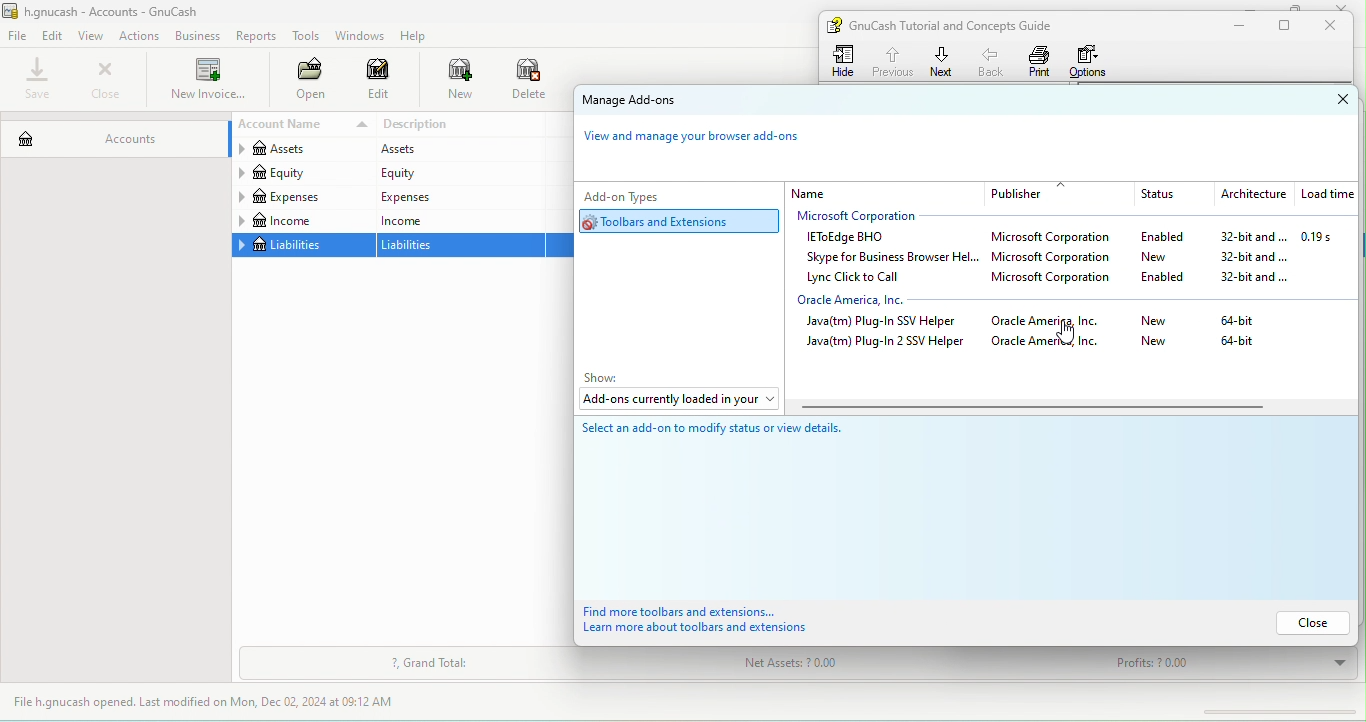  What do you see at coordinates (683, 221) in the screenshot?
I see `toolbars and extensions` at bounding box center [683, 221].